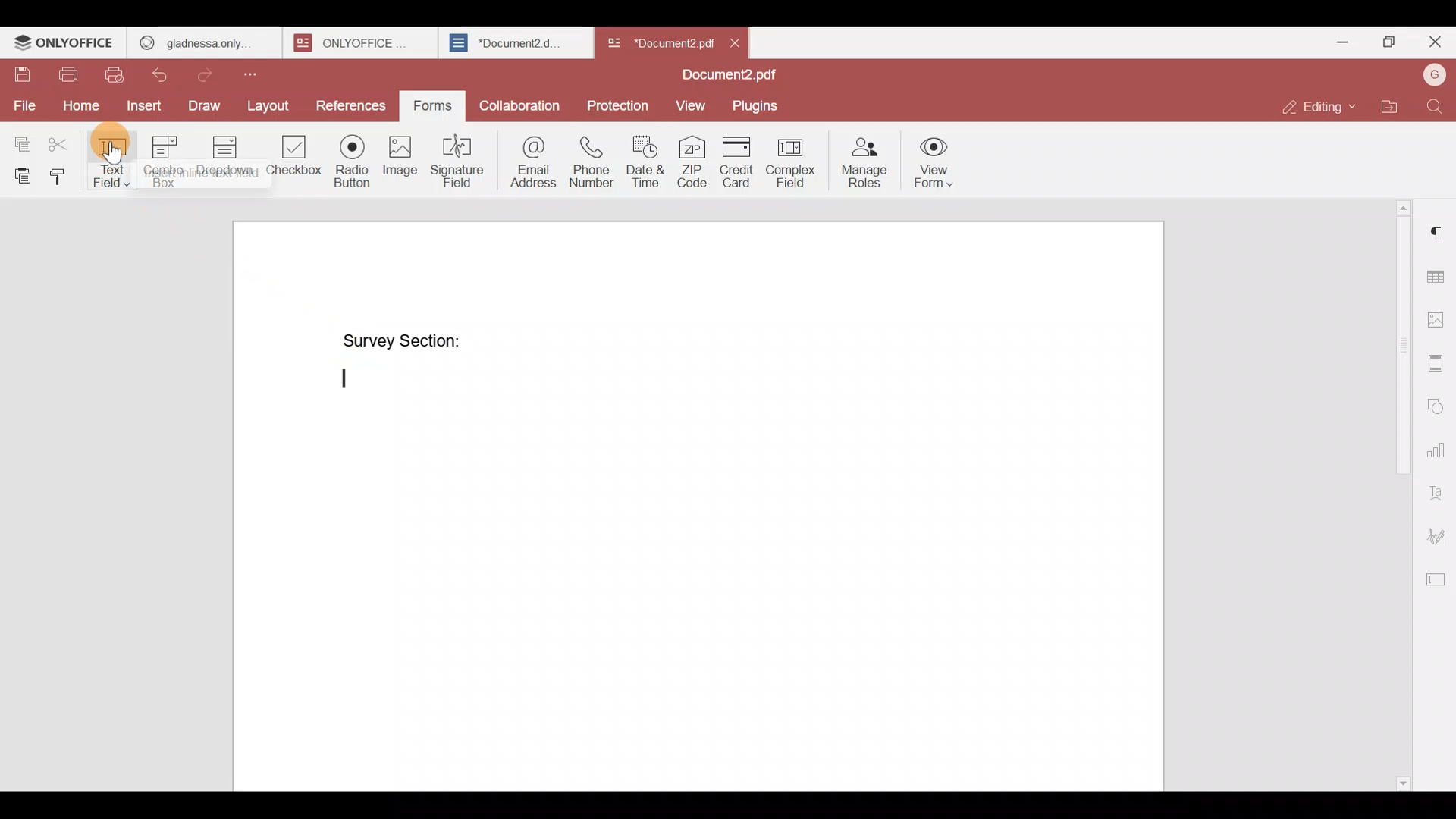  Describe the element at coordinates (18, 173) in the screenshot. I see `Paste` at that location.